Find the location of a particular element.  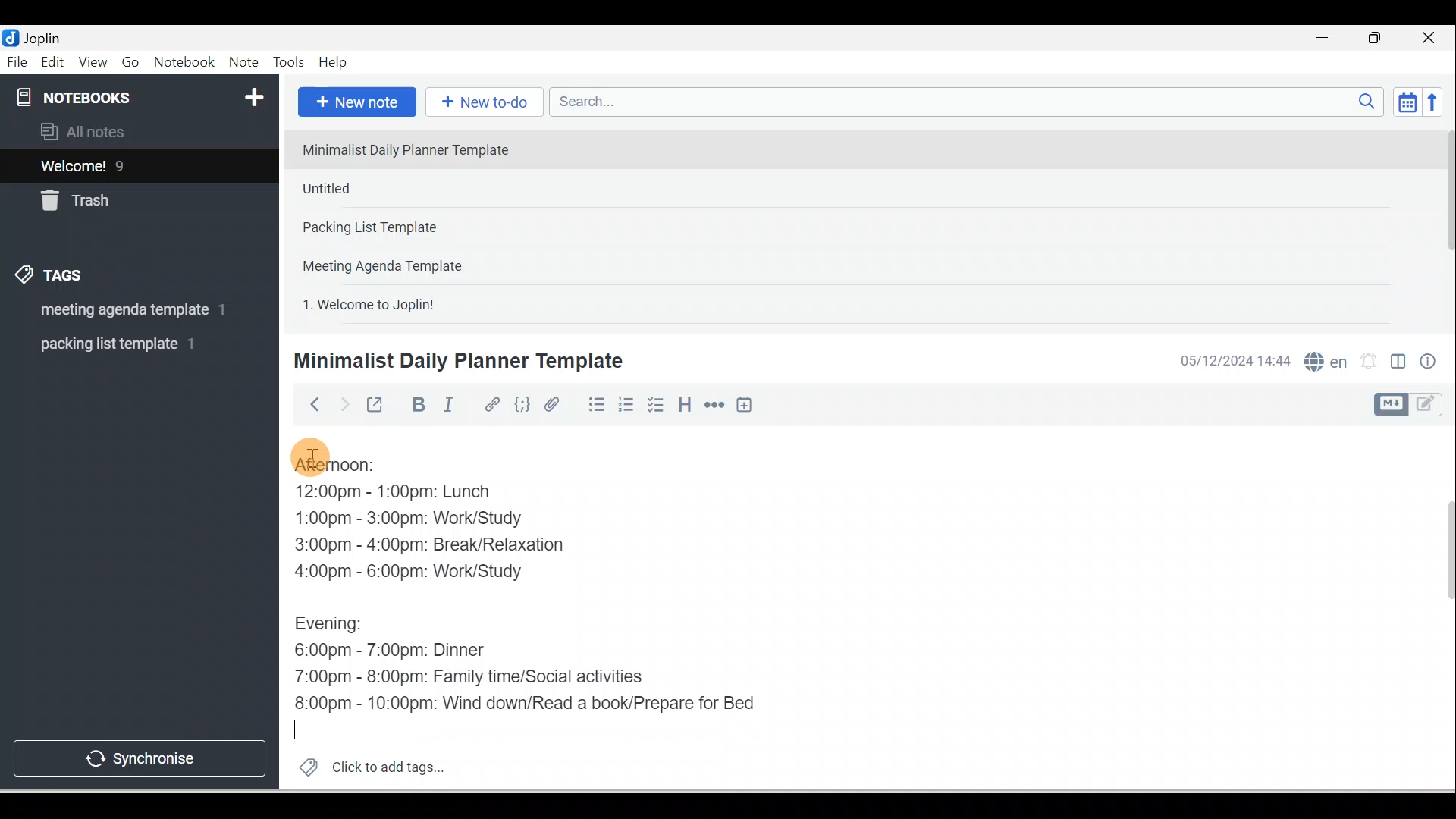

Tag 1 is located at coordinates (119, 311).